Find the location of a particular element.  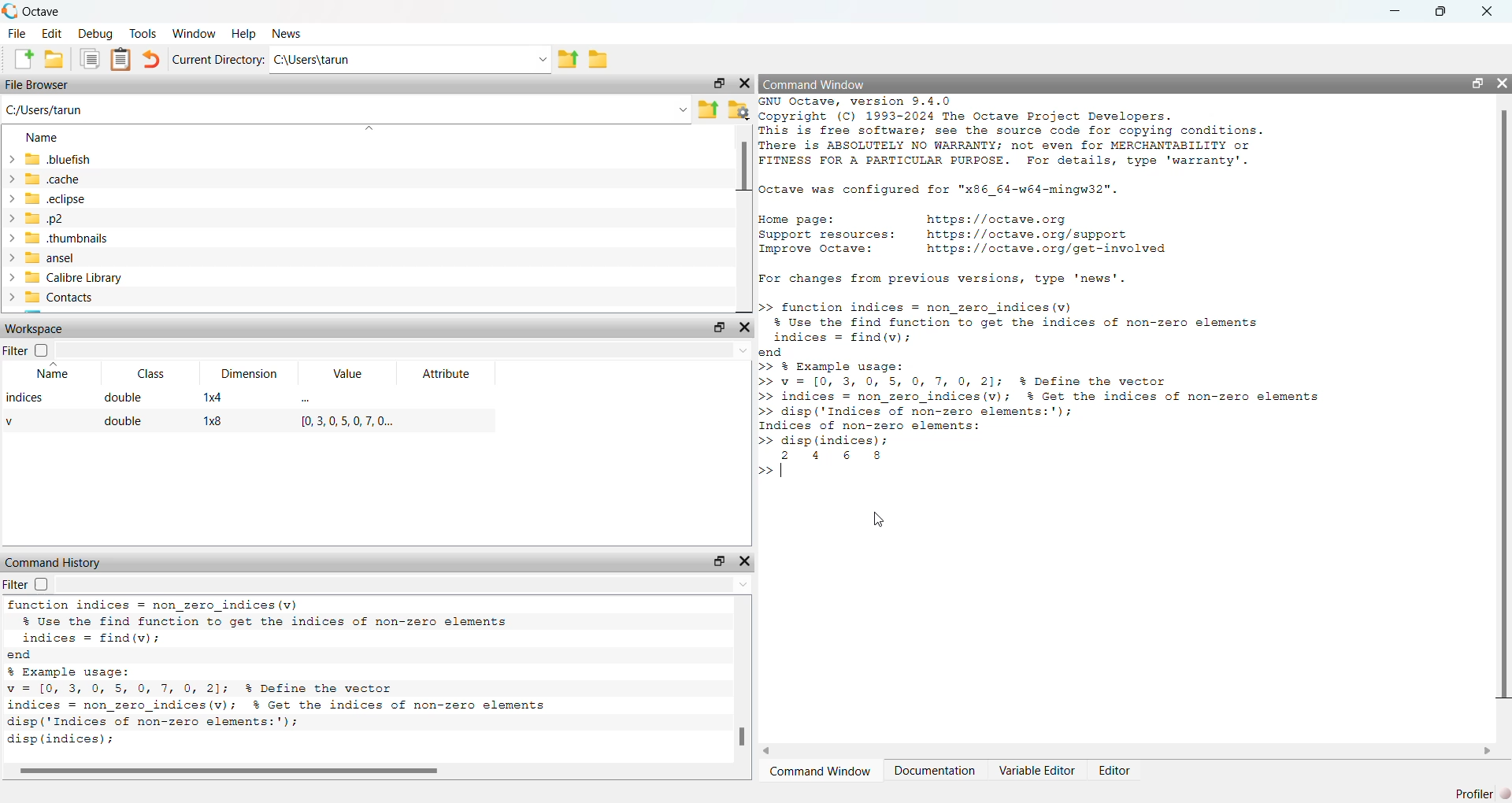

indices is located at coordinates (27, 401).